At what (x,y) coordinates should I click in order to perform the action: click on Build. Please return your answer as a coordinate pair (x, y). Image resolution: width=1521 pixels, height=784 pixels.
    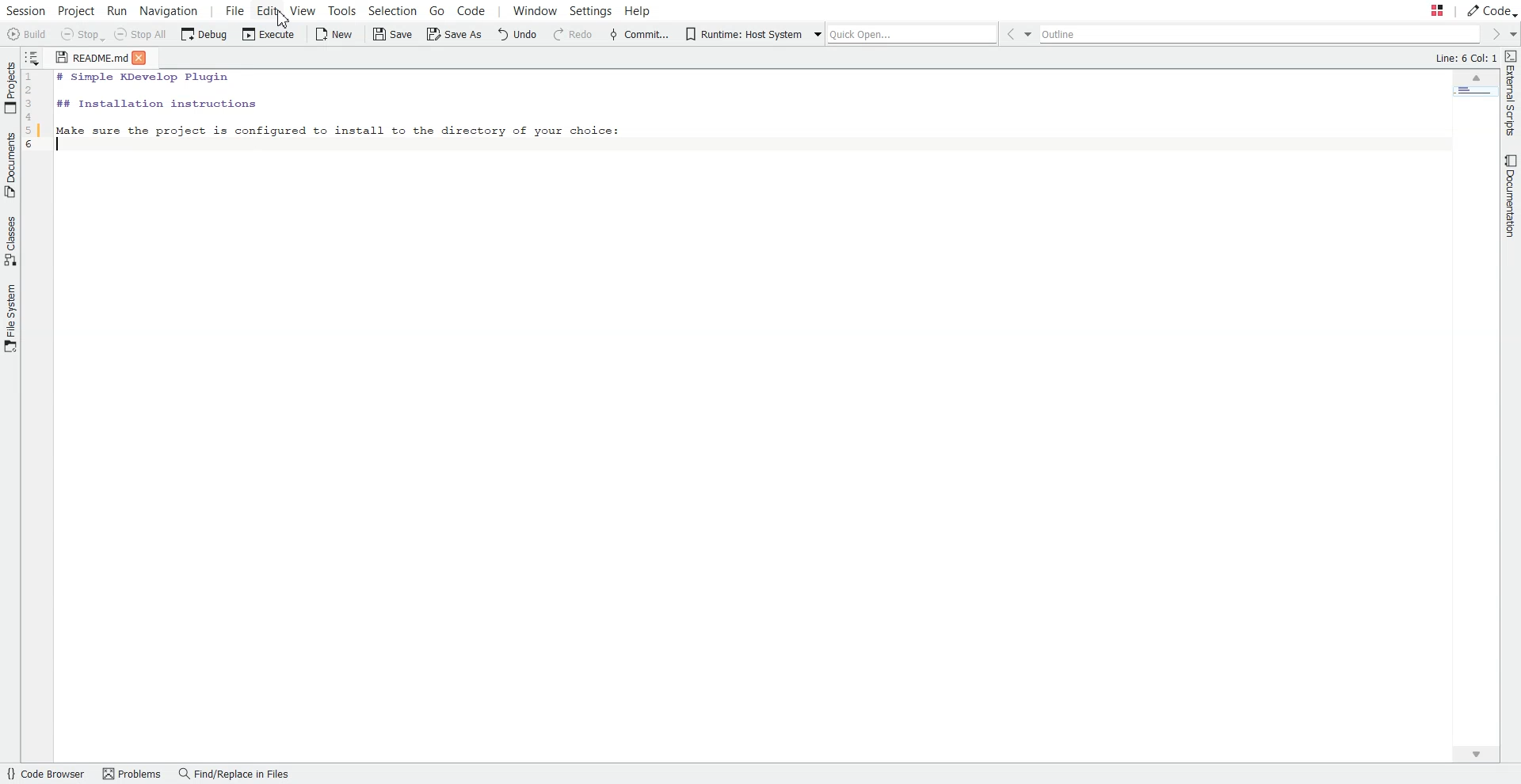
    Looking at the image, I should click on (27, 34).